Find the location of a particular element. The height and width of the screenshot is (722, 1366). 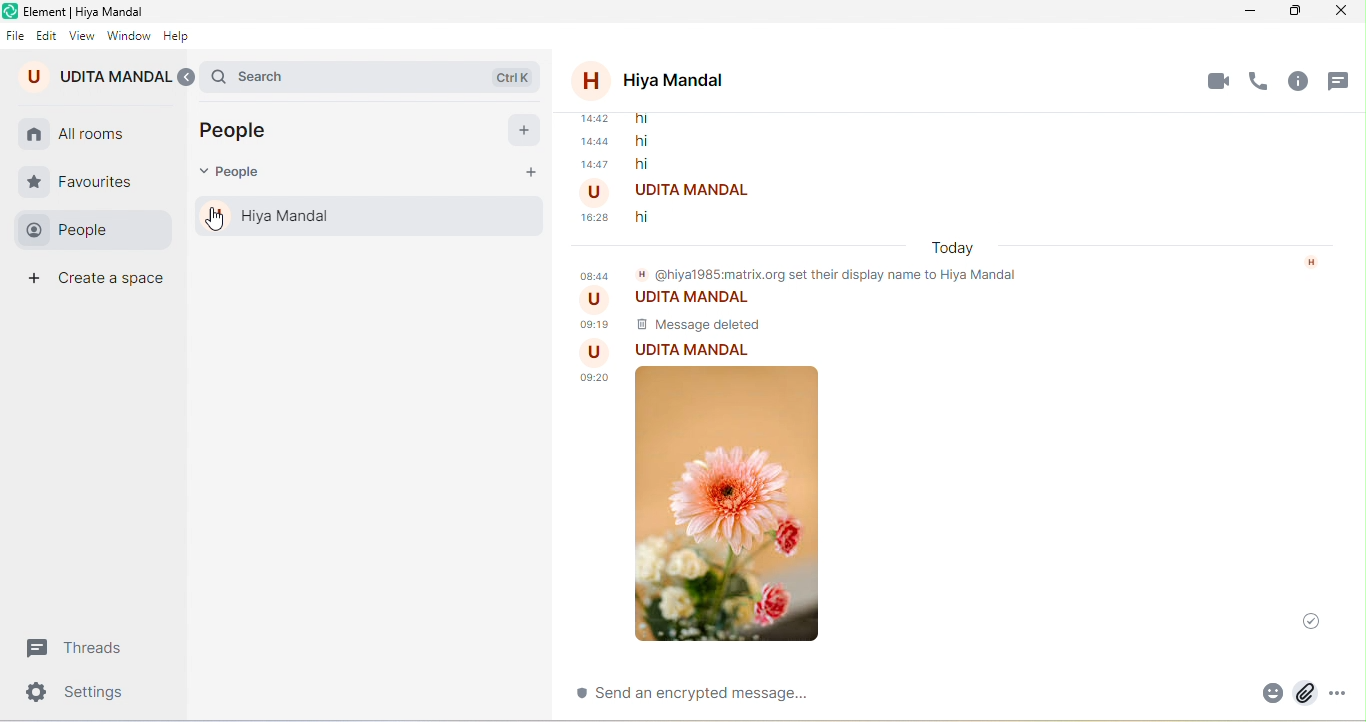

all rooms is located at coordinates (94, 135).